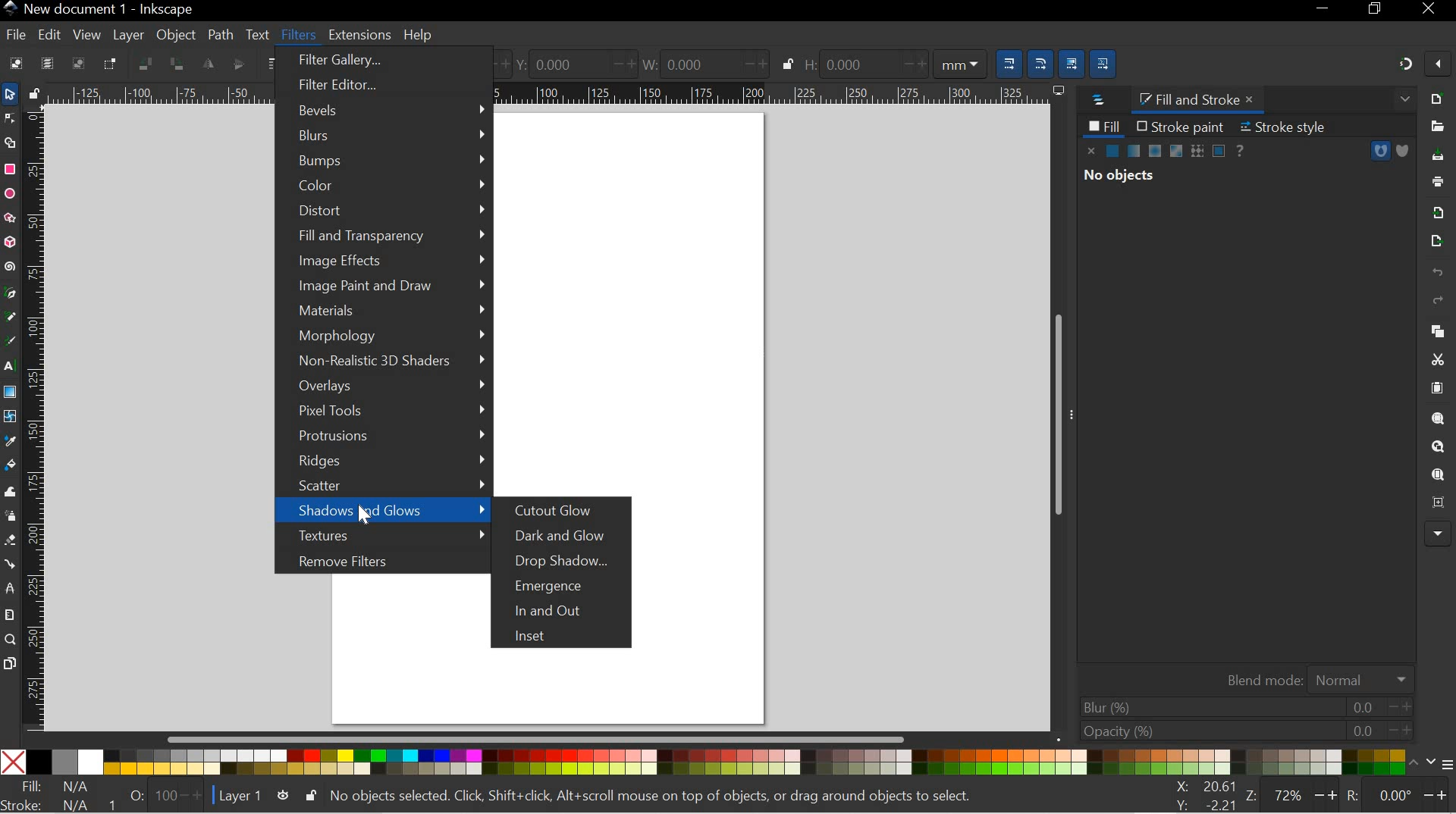 Image resolution: width=1456 pixels, height=814 pixels. I want to click on Rotation, so click(1397, 797).